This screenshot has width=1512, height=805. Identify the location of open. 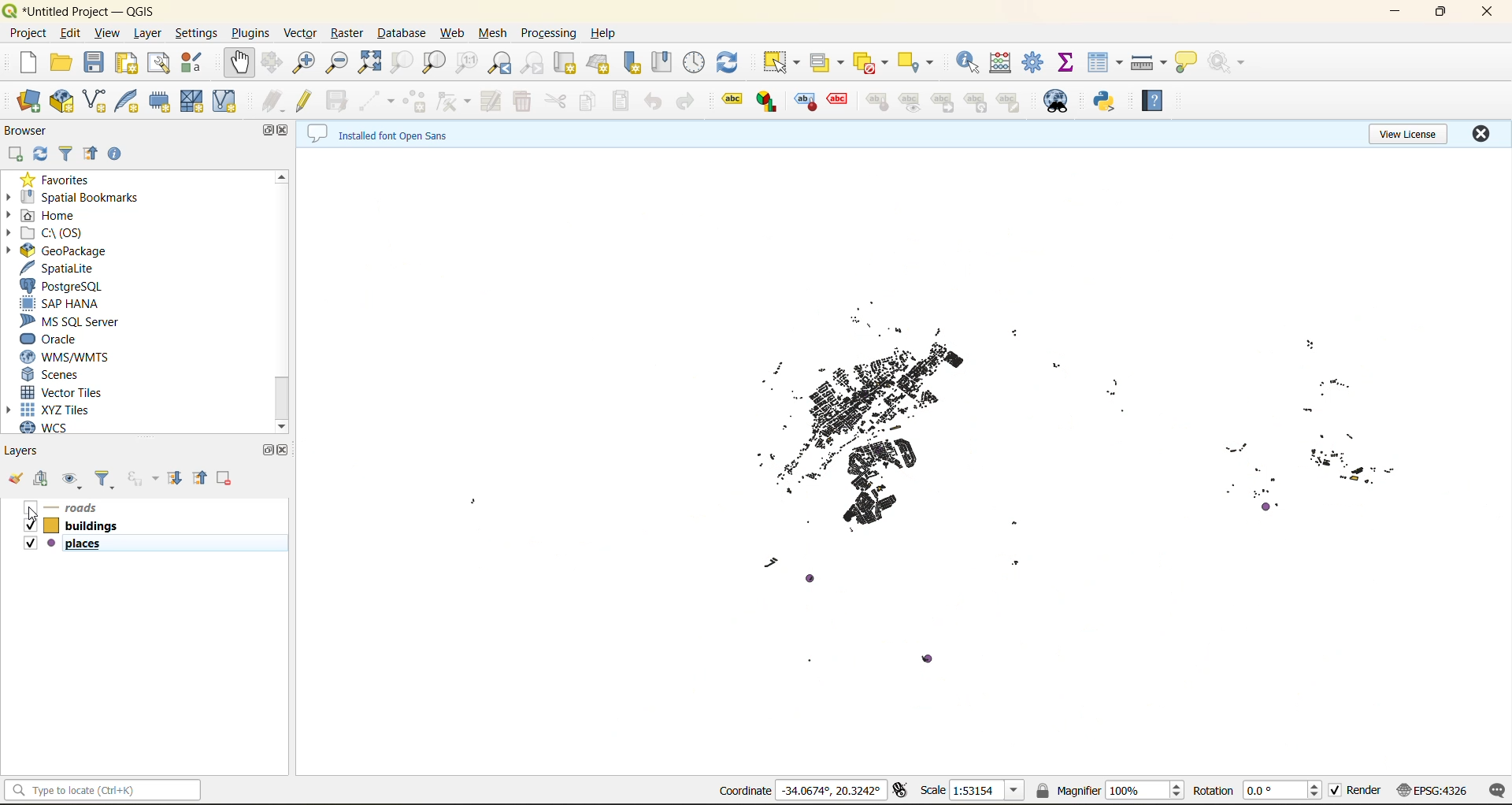
(15, 479).